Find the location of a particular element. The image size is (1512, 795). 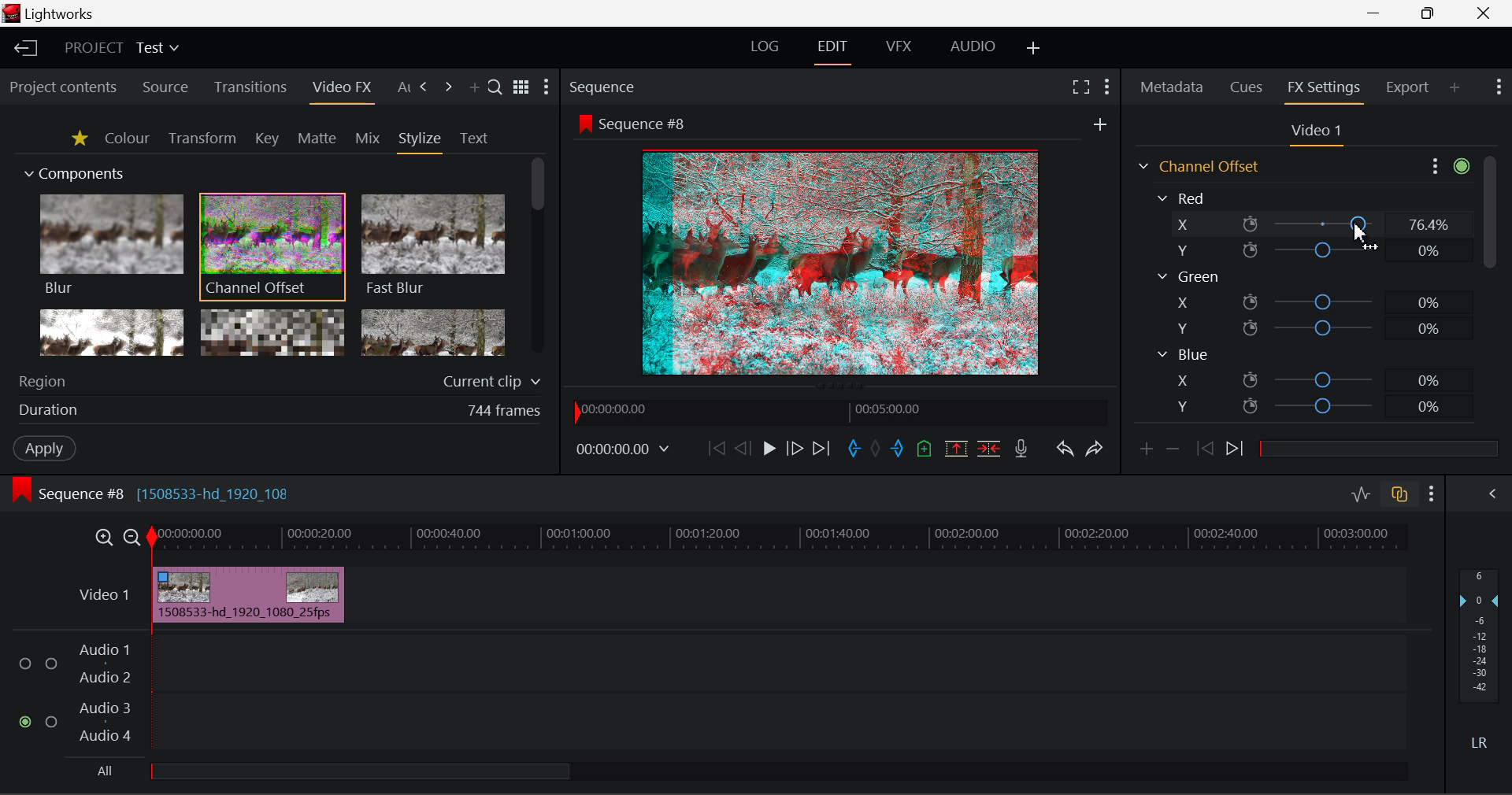

Project Title is located at coordinates (121, 46).